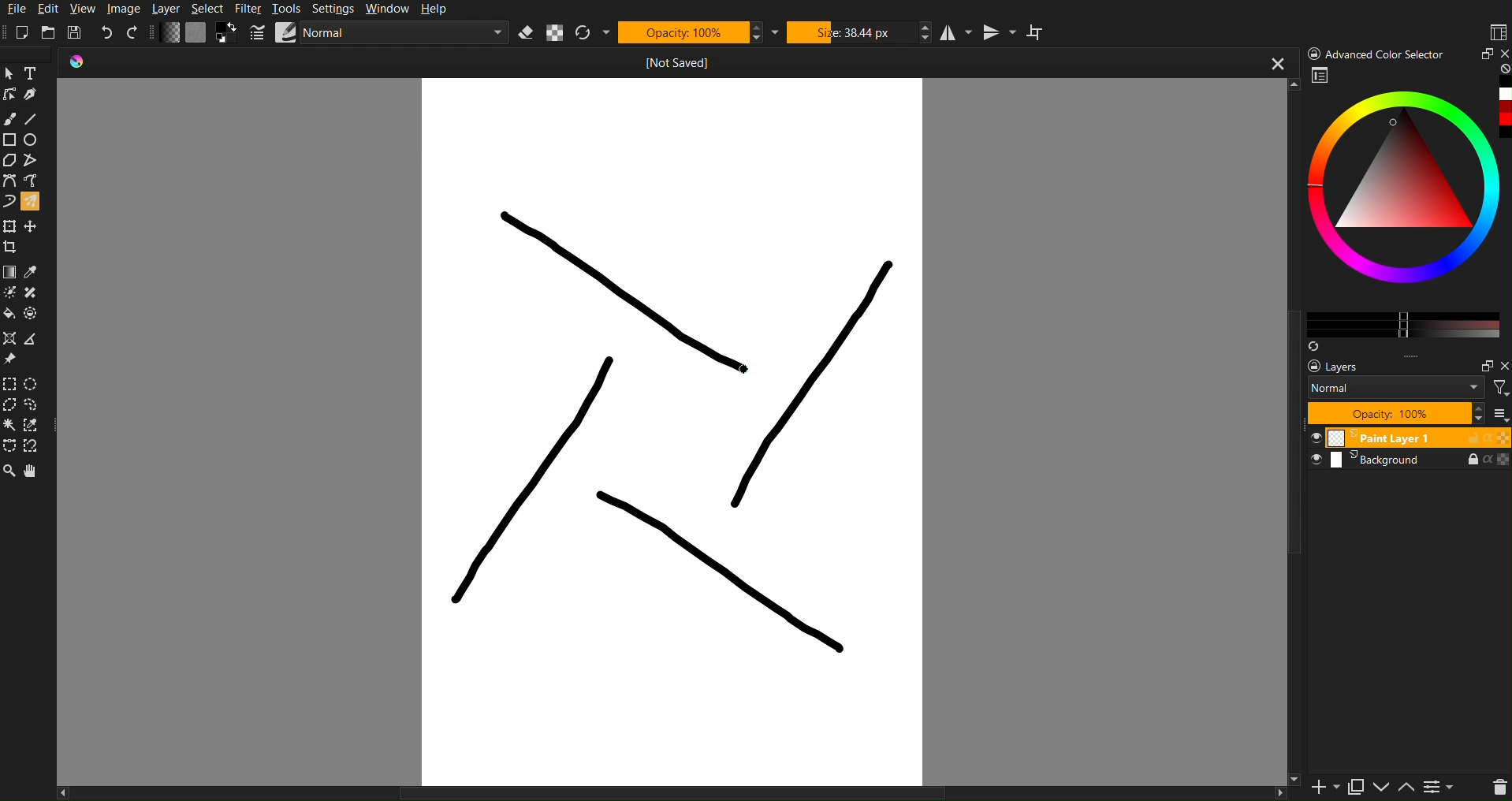  What do you see at coordinates (338, 9) in the screenshot?
I see `Settings` at bounding box center [338, 9].